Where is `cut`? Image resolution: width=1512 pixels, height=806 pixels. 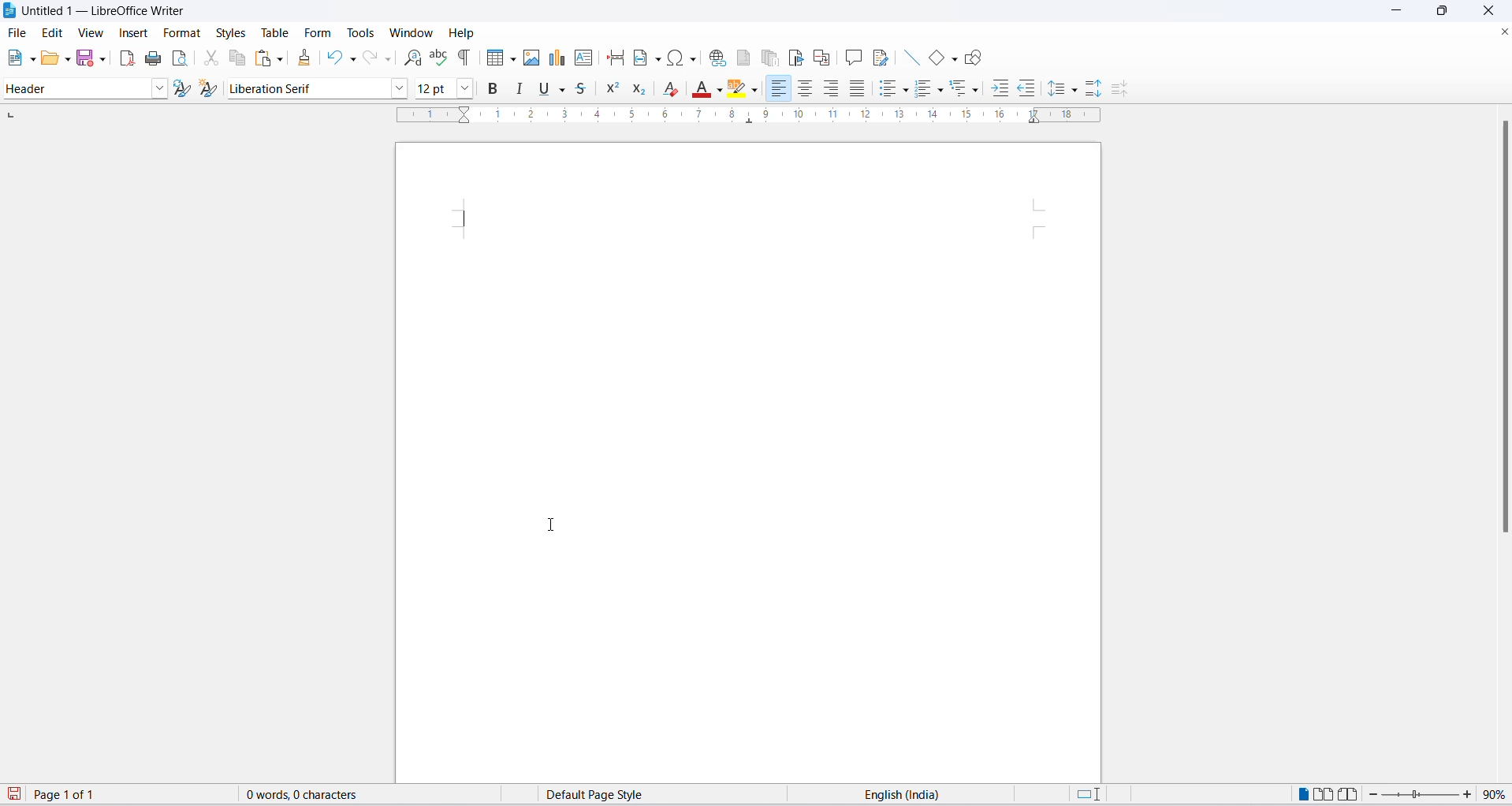
cut is located at coordinates (210, 59).